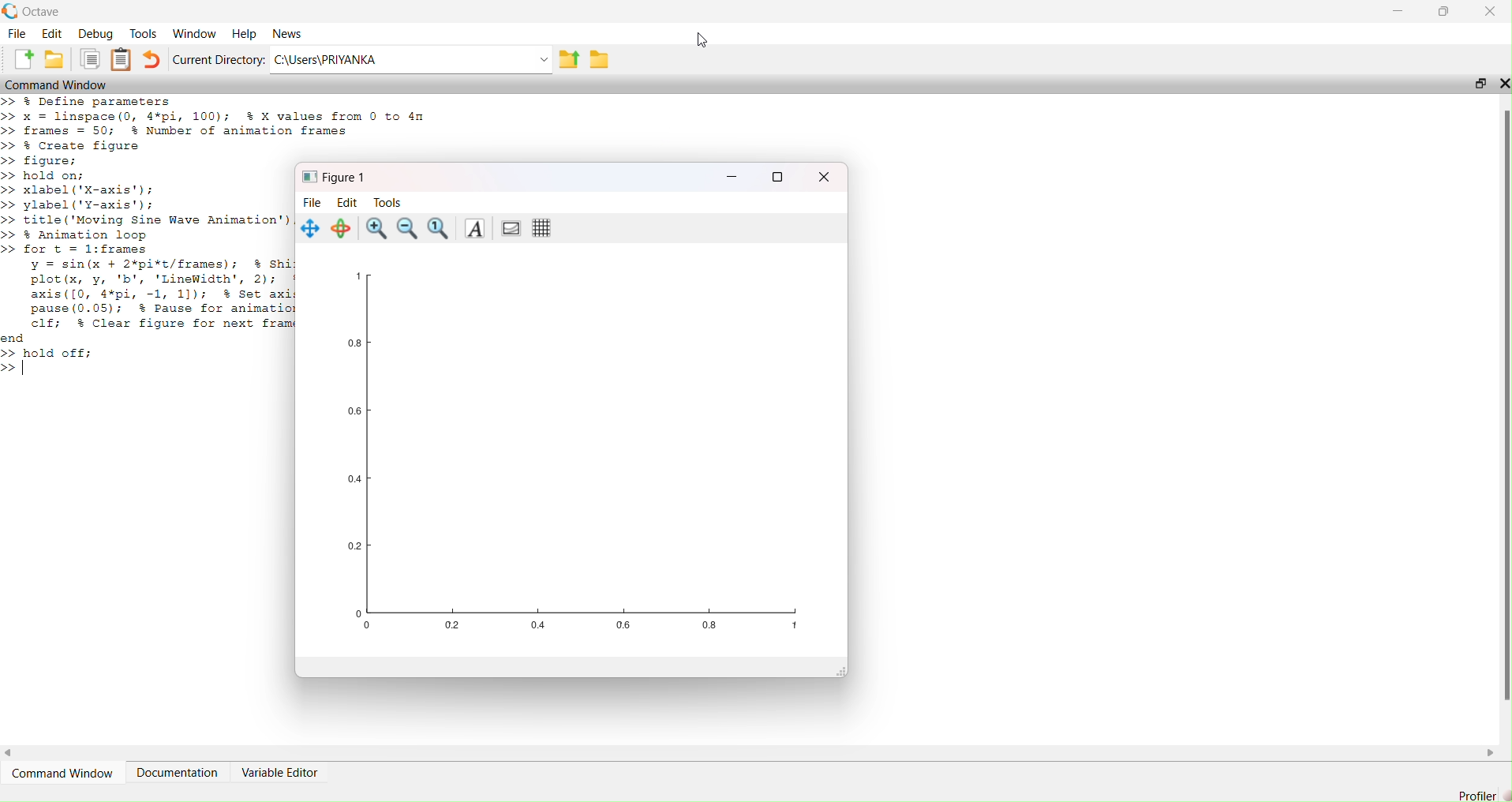 This screenshot has width=1512, height=802. I want to click on redo, so click(155, 59).